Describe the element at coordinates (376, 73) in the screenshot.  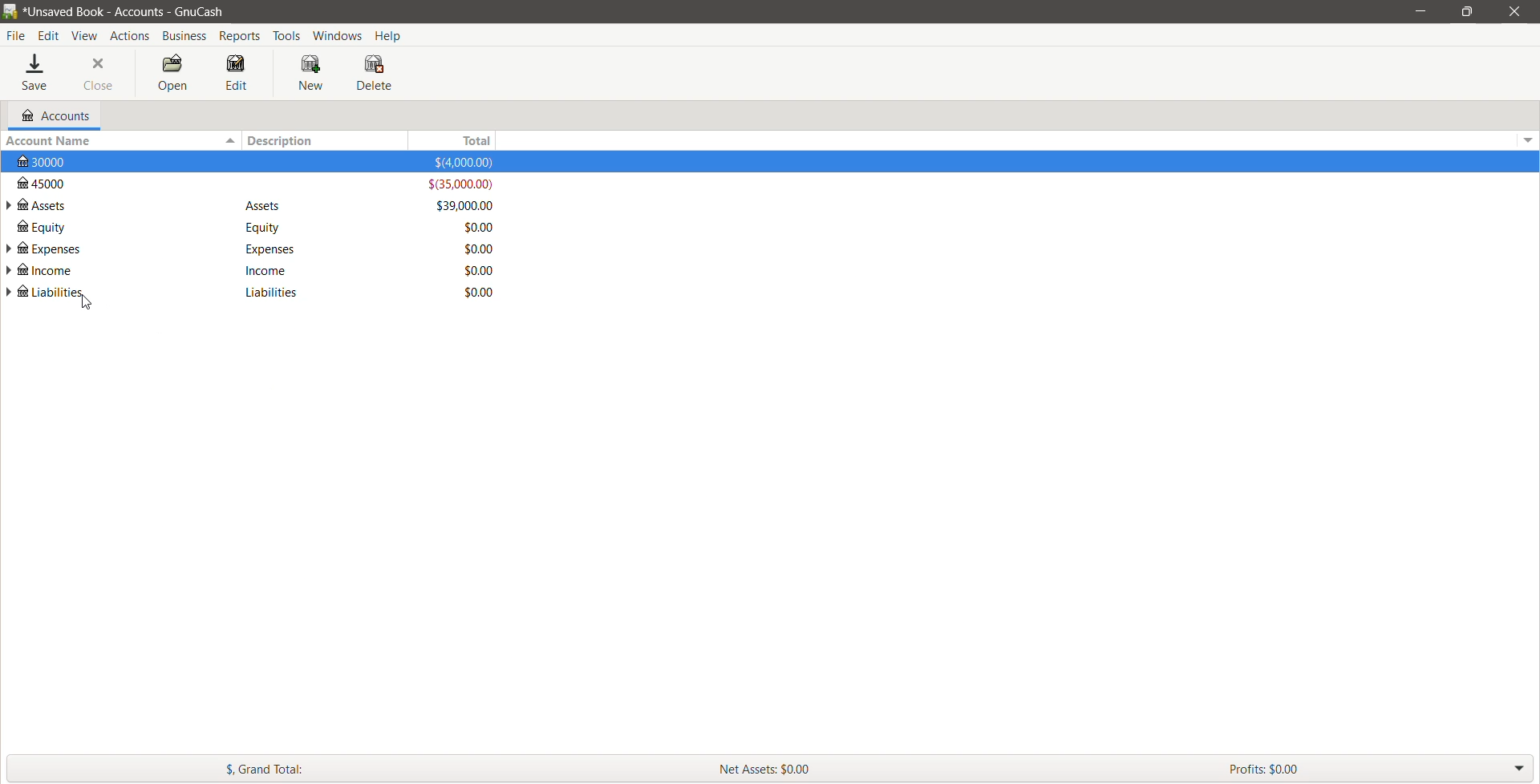
I see `Delete` at that location.